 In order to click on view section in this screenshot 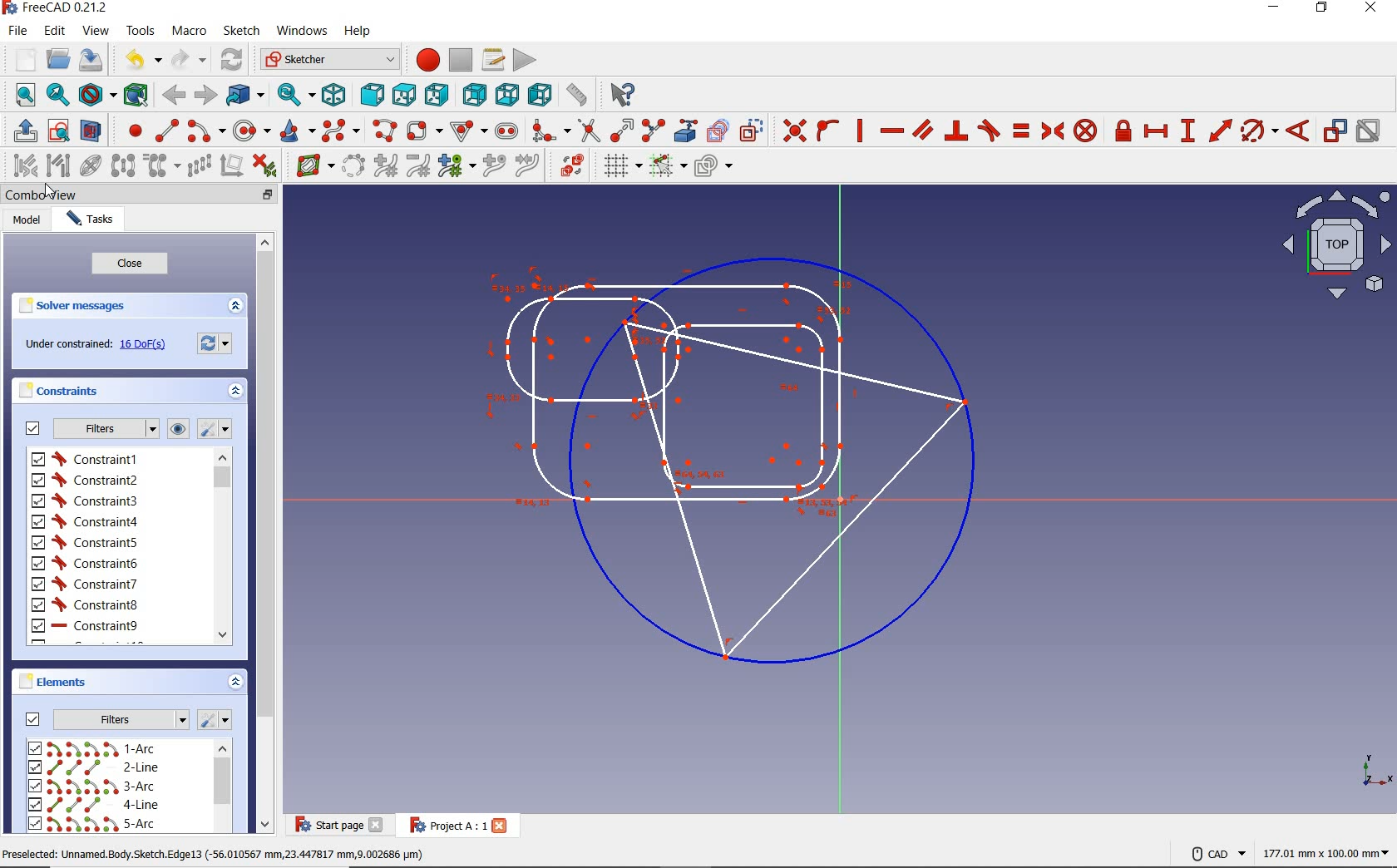, I will do `click(93, 131)`.